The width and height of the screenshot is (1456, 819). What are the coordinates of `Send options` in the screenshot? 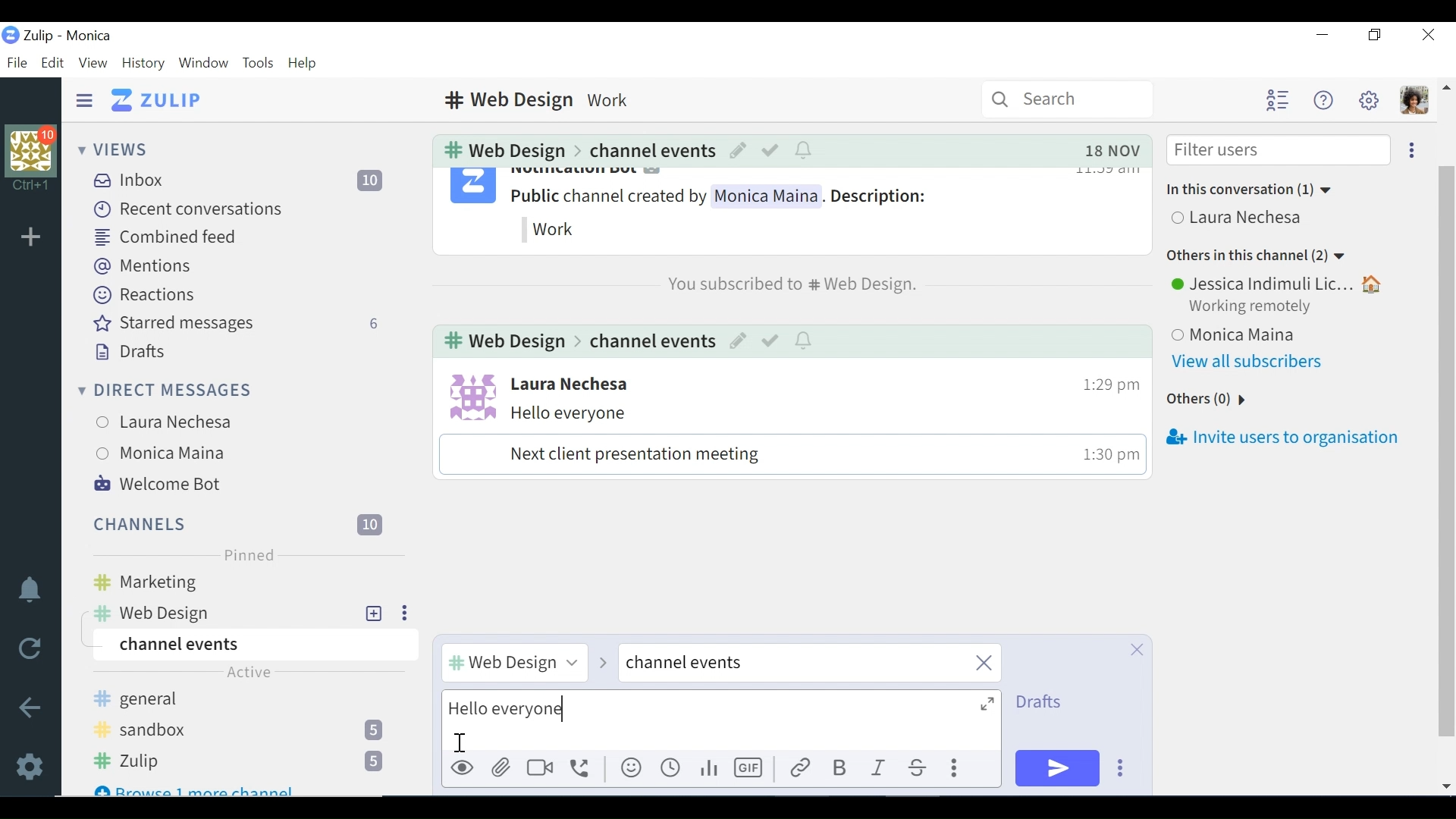 It's located at (1121, 768).